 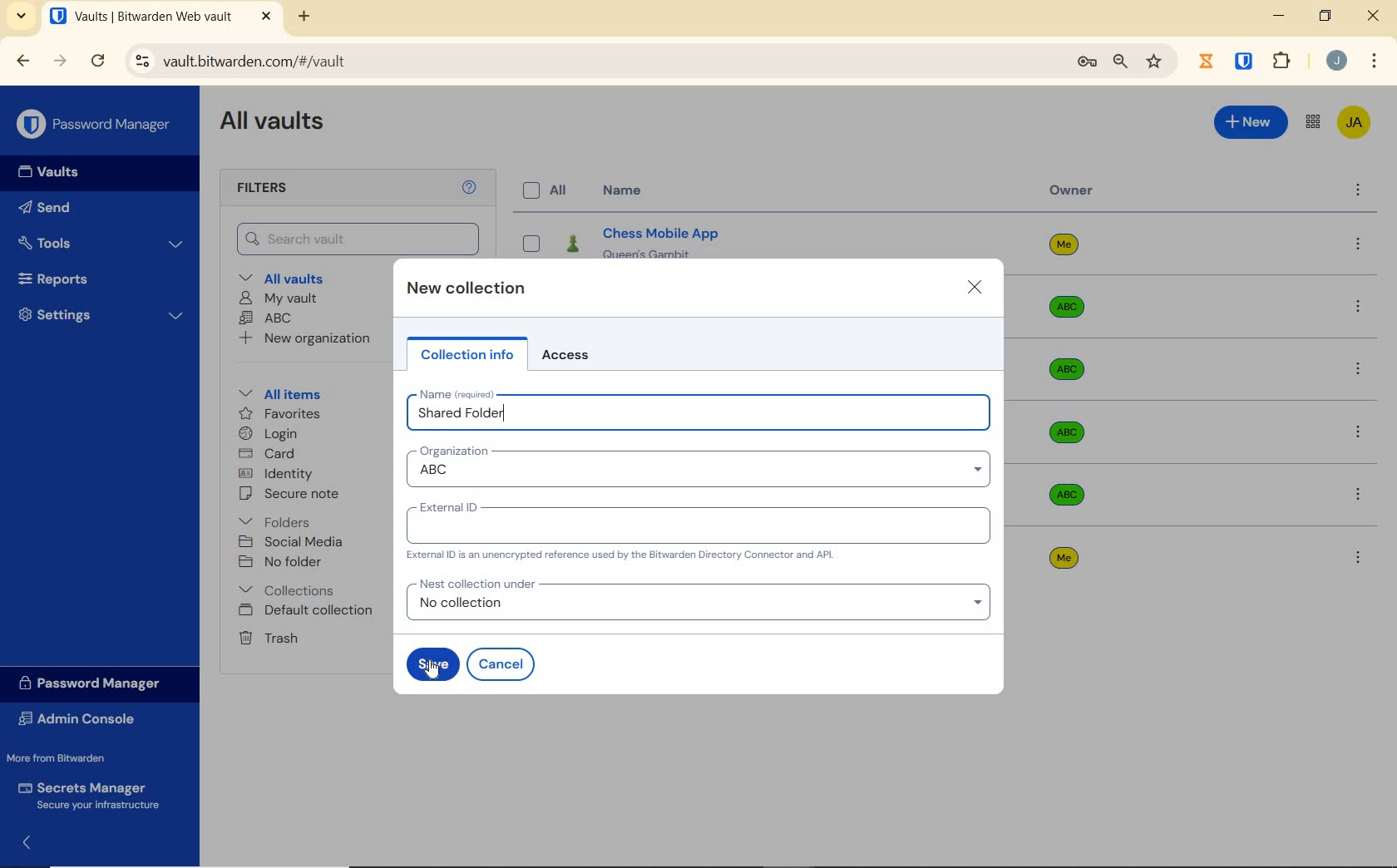 What do you see at coordinates (285, 563) in the screenshot?
I see `No folder` at bounding box center [285, 563].